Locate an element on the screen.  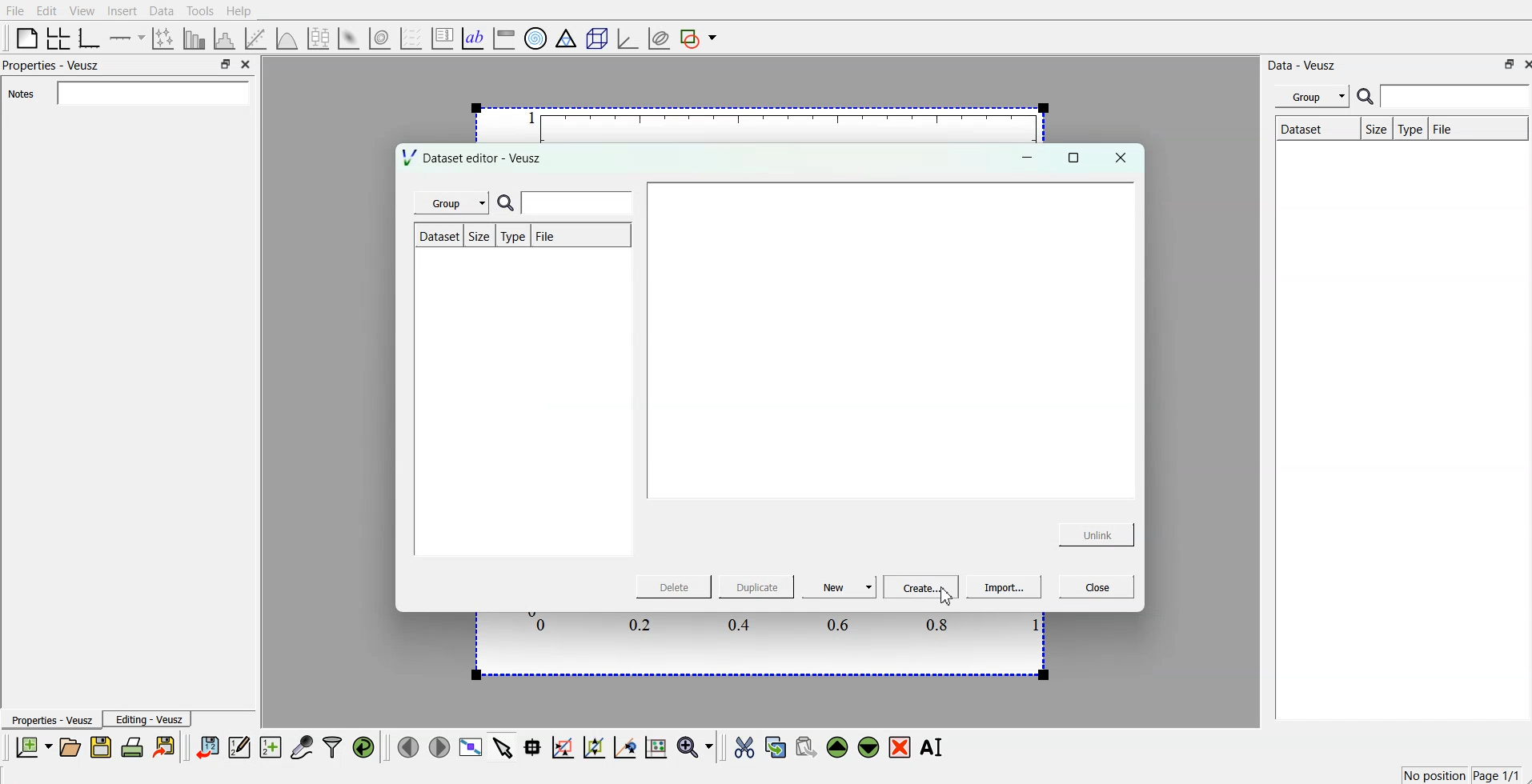
click to zoom out graph axes is located at coordinates (595, 748).